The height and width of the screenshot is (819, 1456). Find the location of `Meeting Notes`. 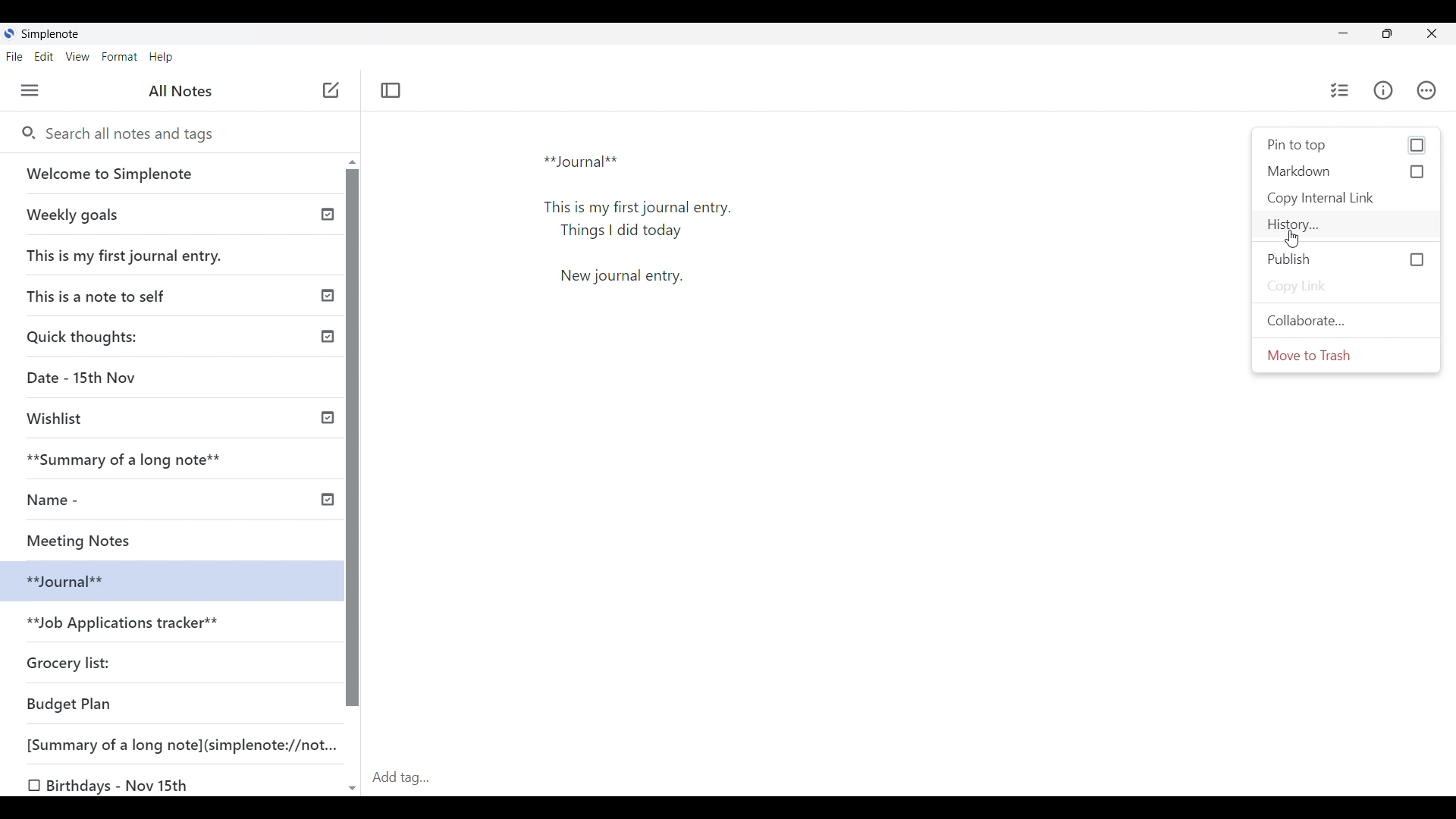

Meeting Notes is located at coordinates (96, 538).